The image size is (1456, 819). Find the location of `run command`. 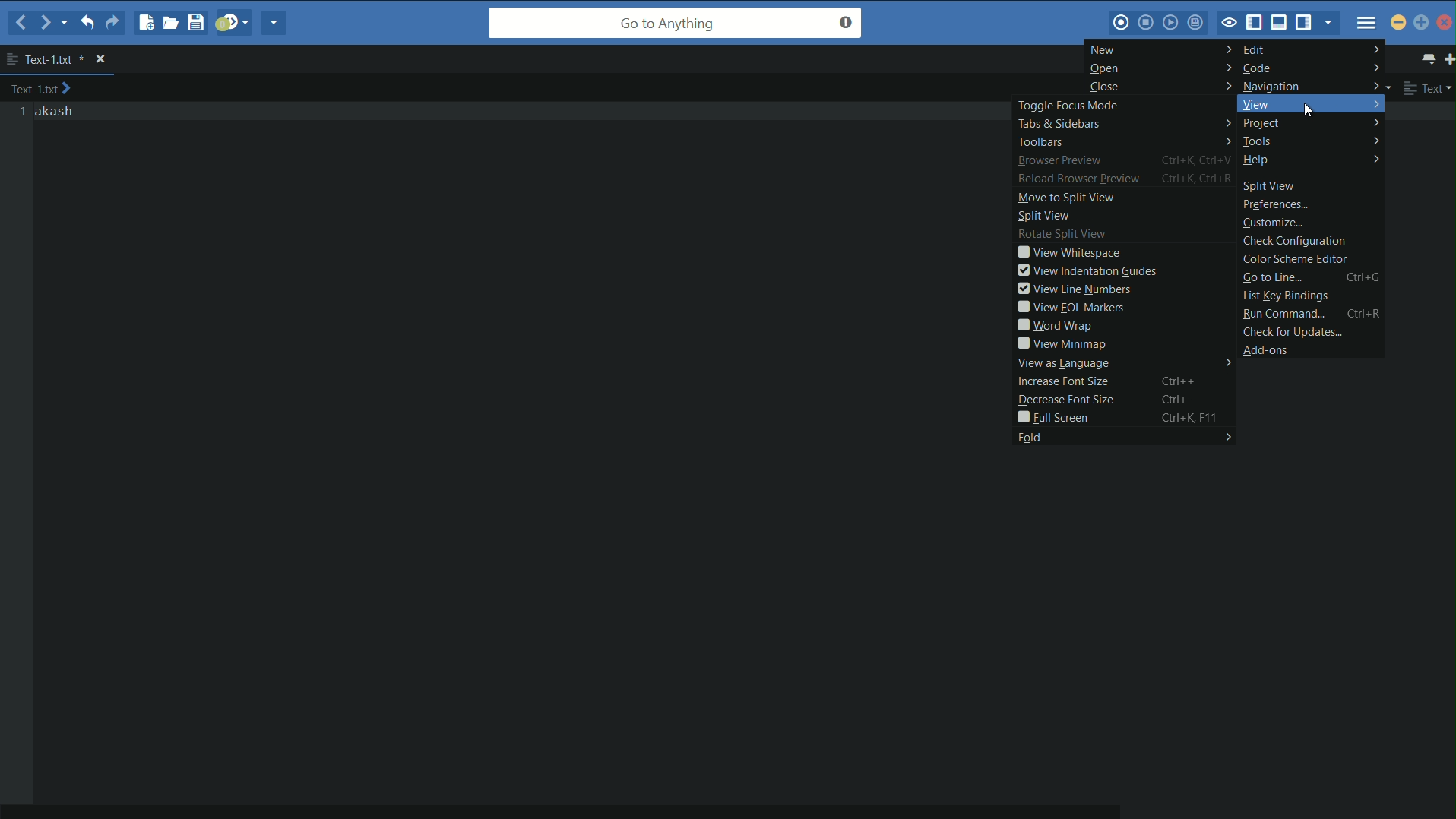

run command is located at coordinates (1311, 314).